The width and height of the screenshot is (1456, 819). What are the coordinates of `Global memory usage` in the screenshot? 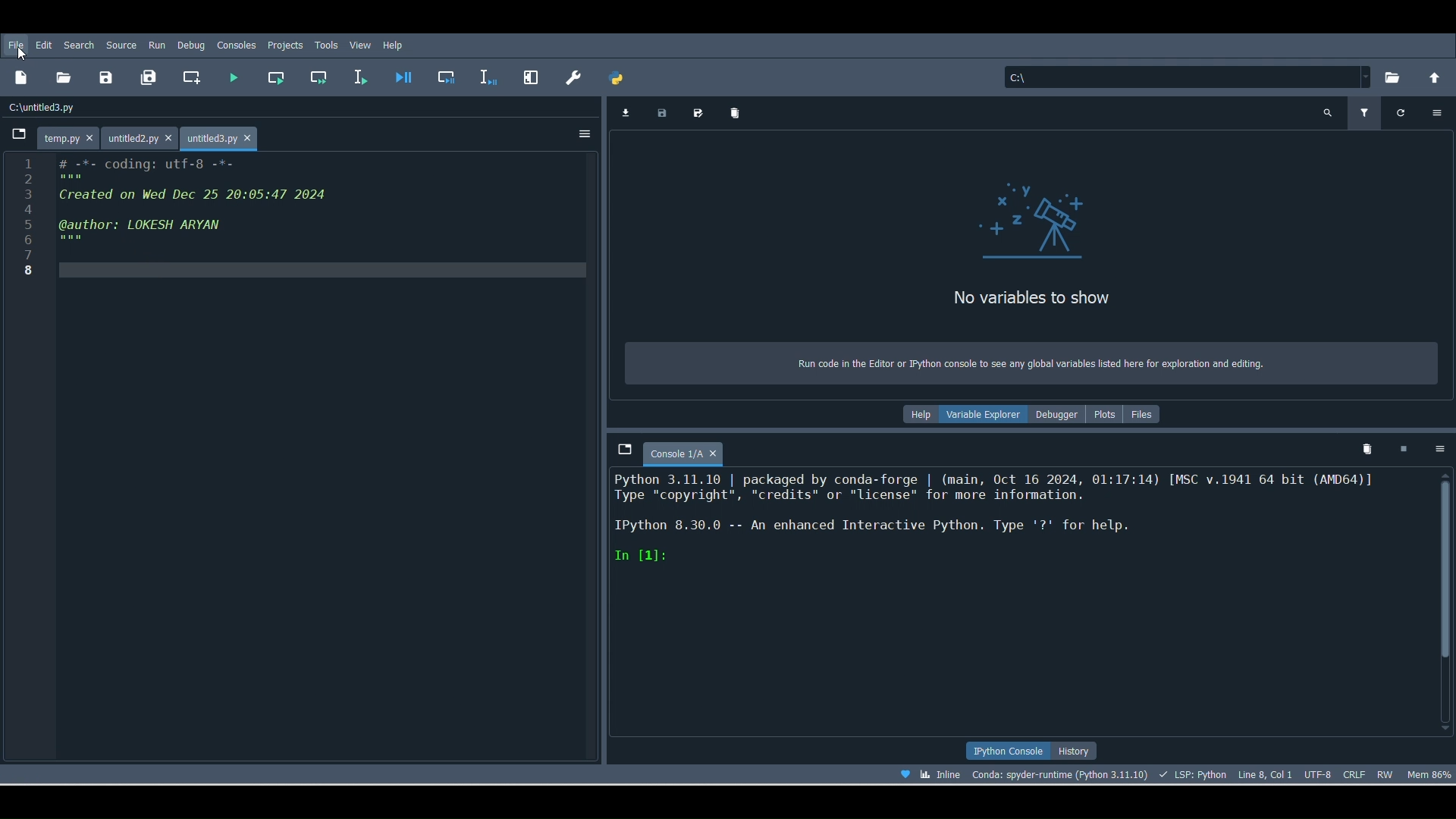 It's located at (1432, 775).